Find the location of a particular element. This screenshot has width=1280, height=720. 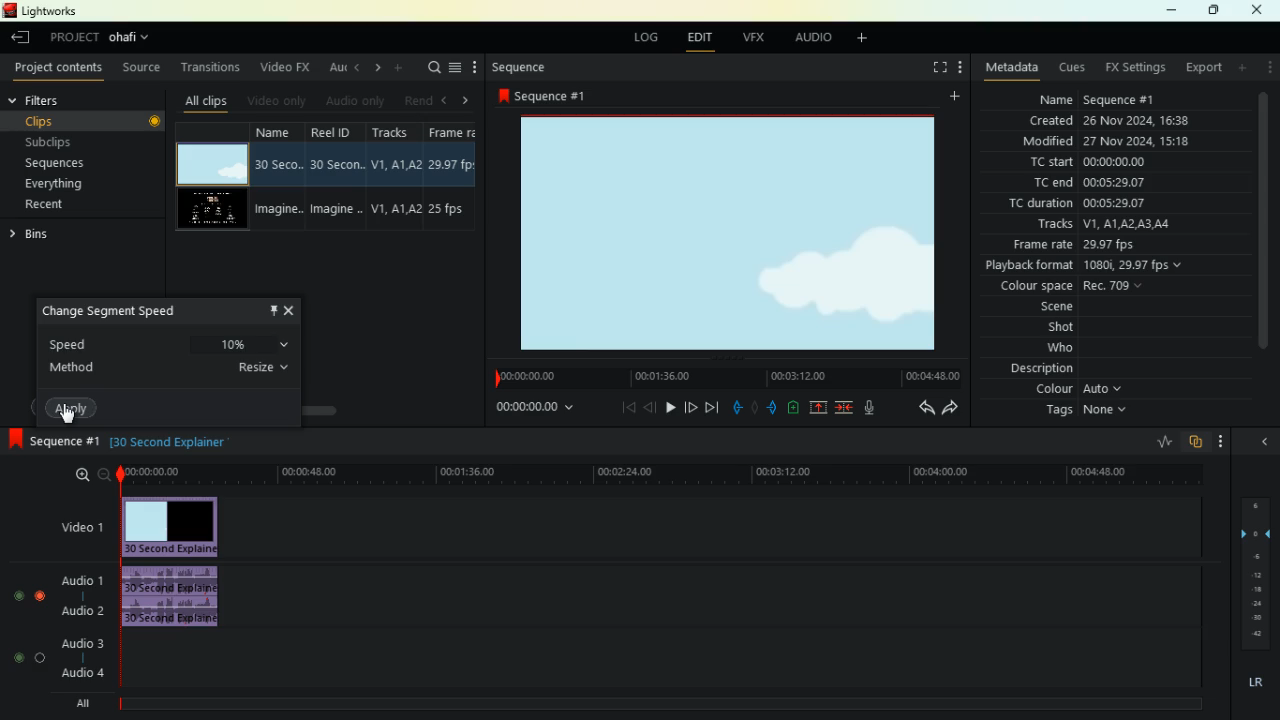

pull is located at coordinates (734, 408).